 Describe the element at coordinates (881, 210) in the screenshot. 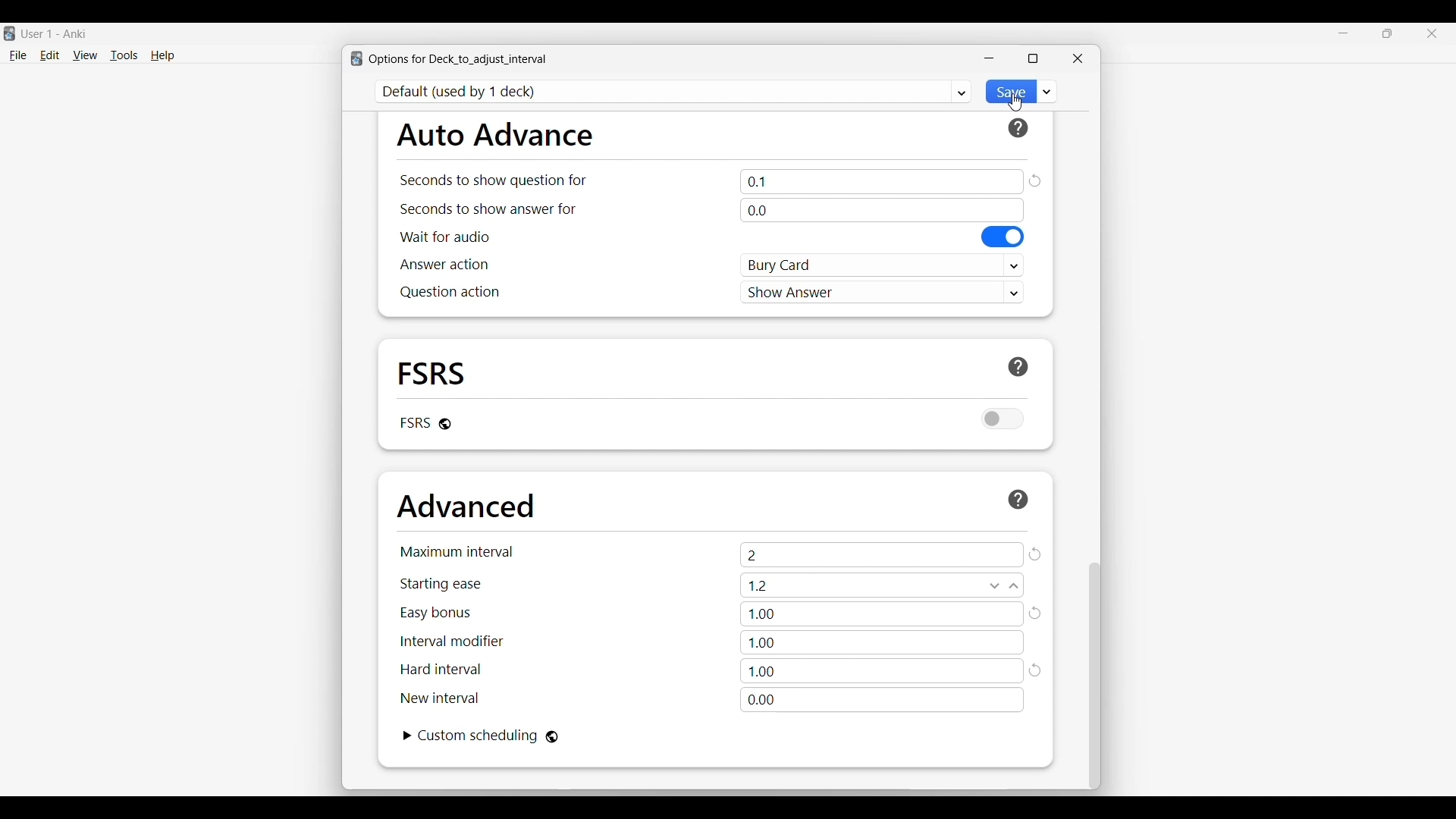

I see `0.0` at that location.